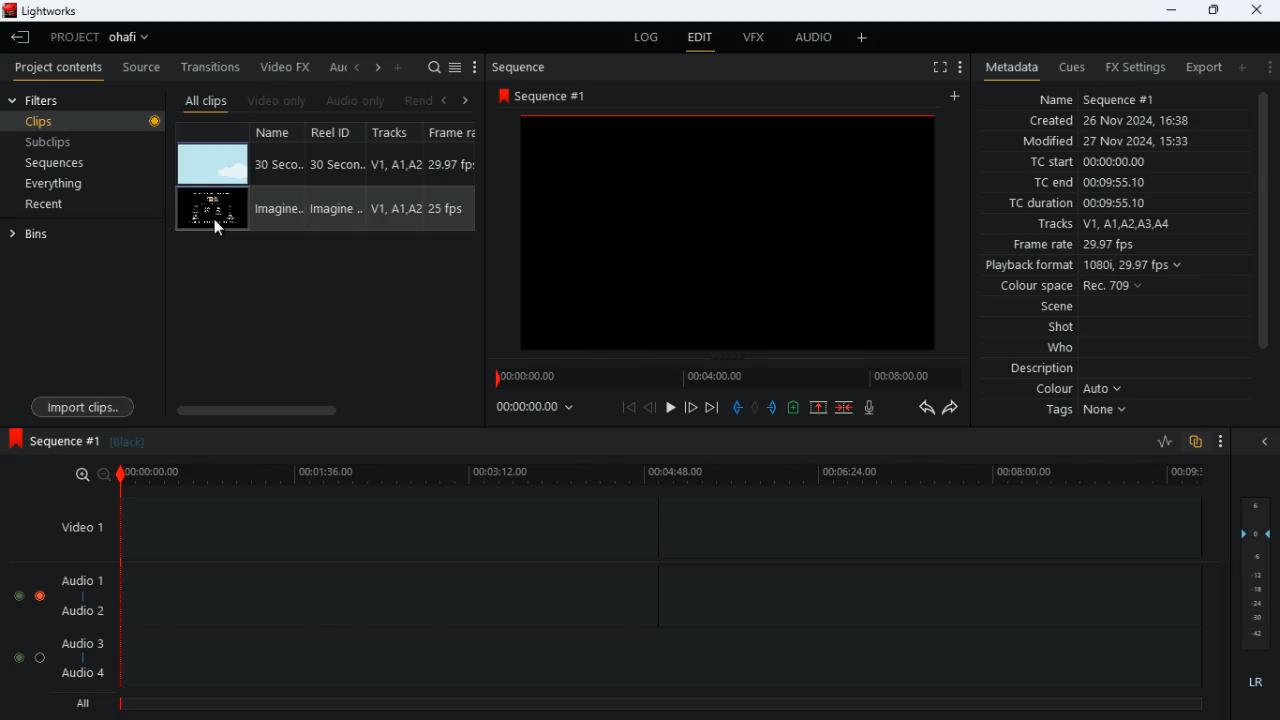 Image resolution: width=1280 pixels, height=720 pixels. Describe the element at coordinates (702, 39) in the screenshot. I see `edit` at that location.